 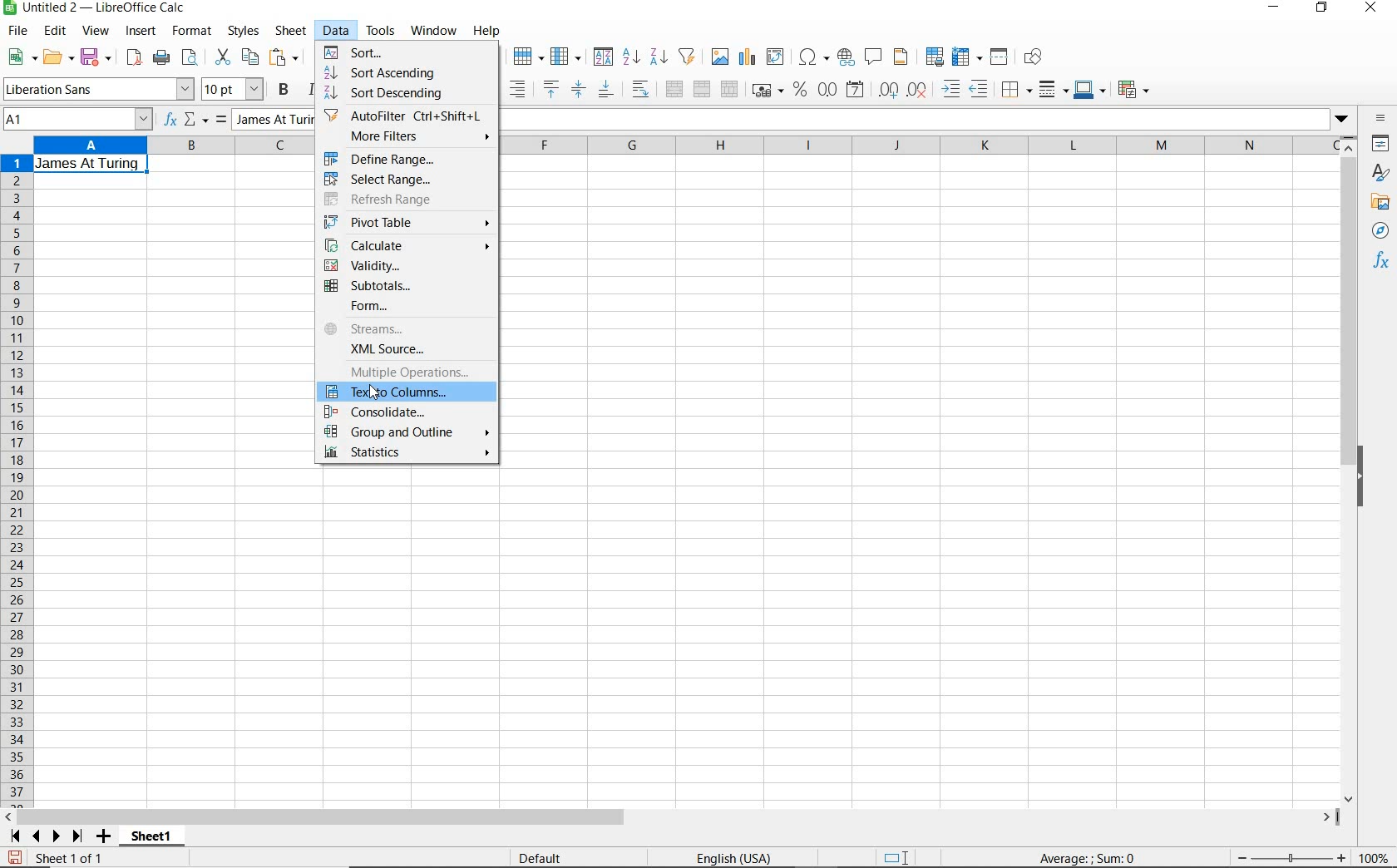 What do you see at coordinates (90, 167) in the screenshot?
I see `text` at bounding box center [90, 167].